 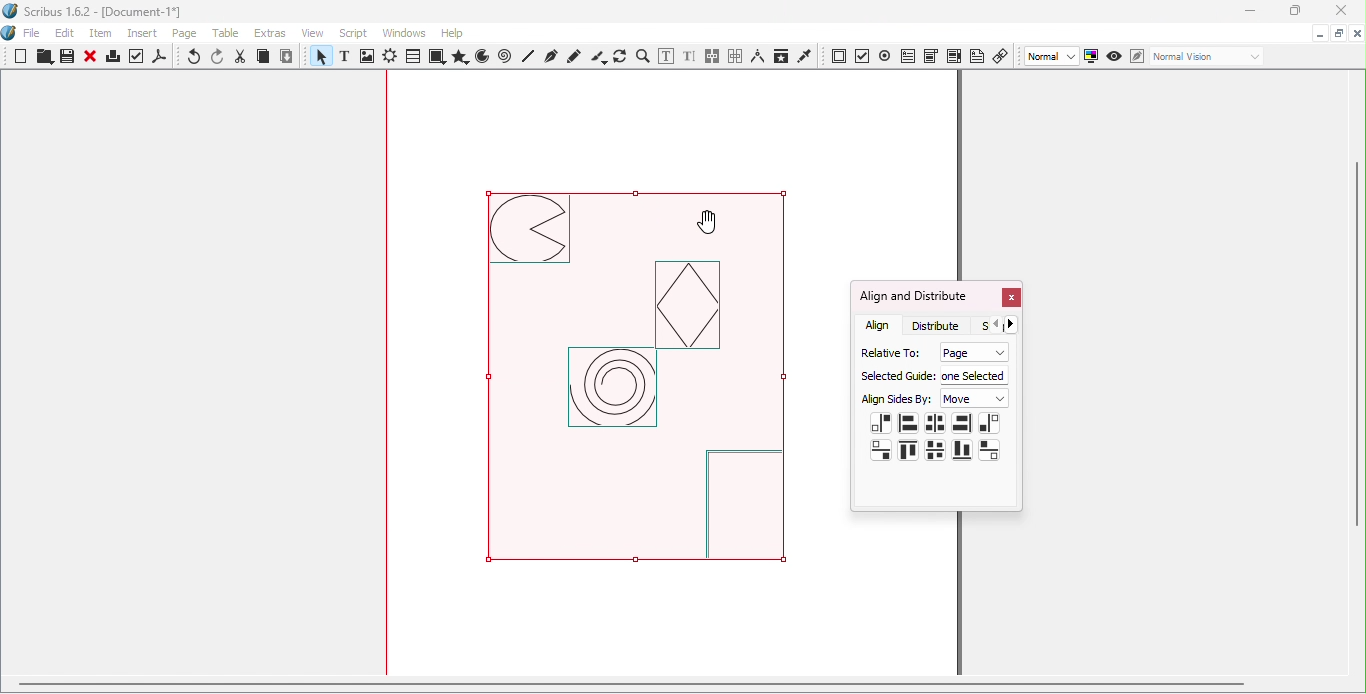 What do you see at coordinates (390, 58) in the screenshot?
I see `Render frame` at bounding box center [390, 58].